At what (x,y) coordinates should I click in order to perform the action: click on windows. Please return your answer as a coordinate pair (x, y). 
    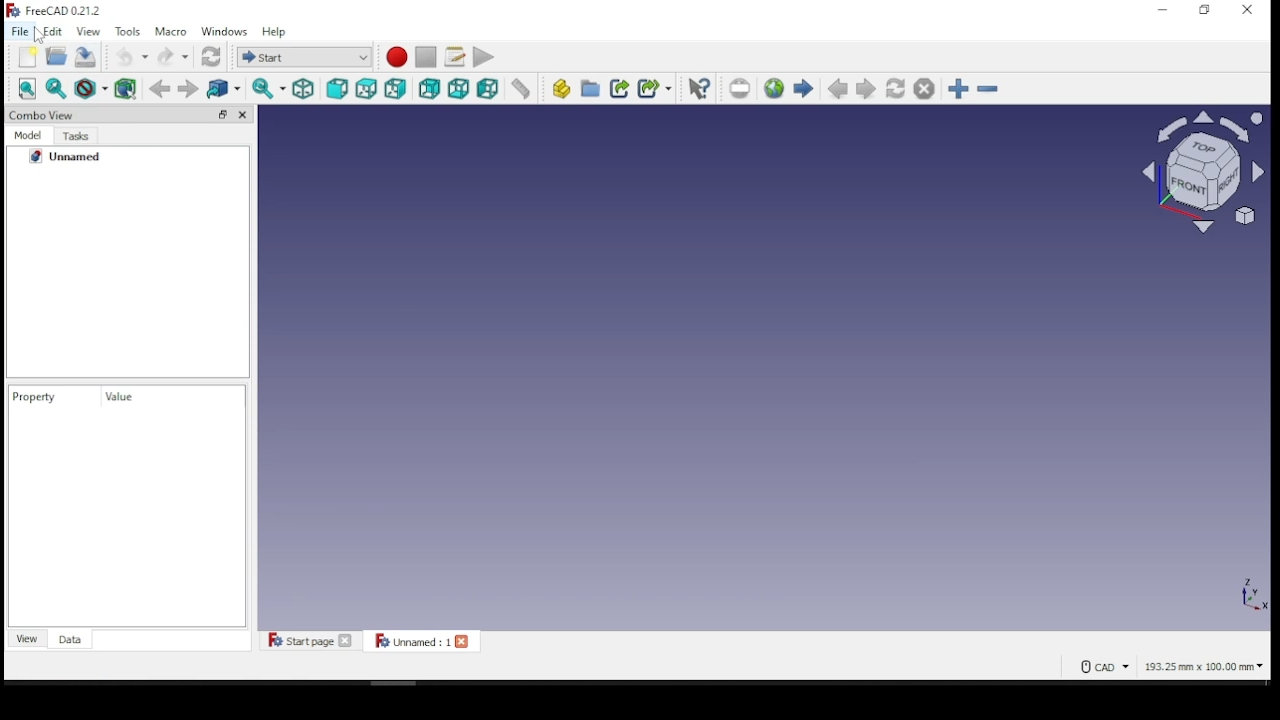
    Looking at the image, I should click on (224, 31).